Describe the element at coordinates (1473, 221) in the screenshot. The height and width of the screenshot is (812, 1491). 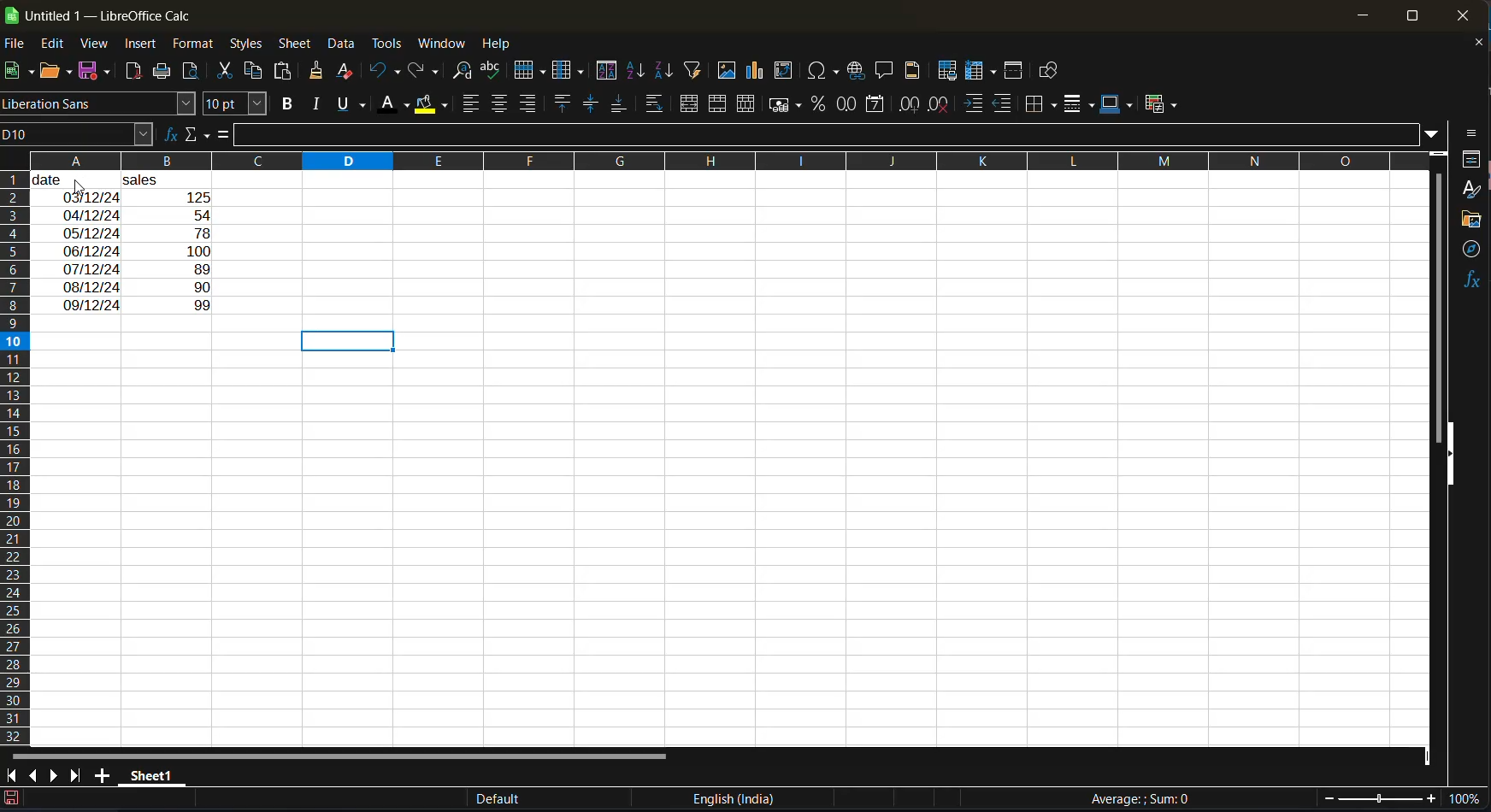
I see `gallery` at that location.